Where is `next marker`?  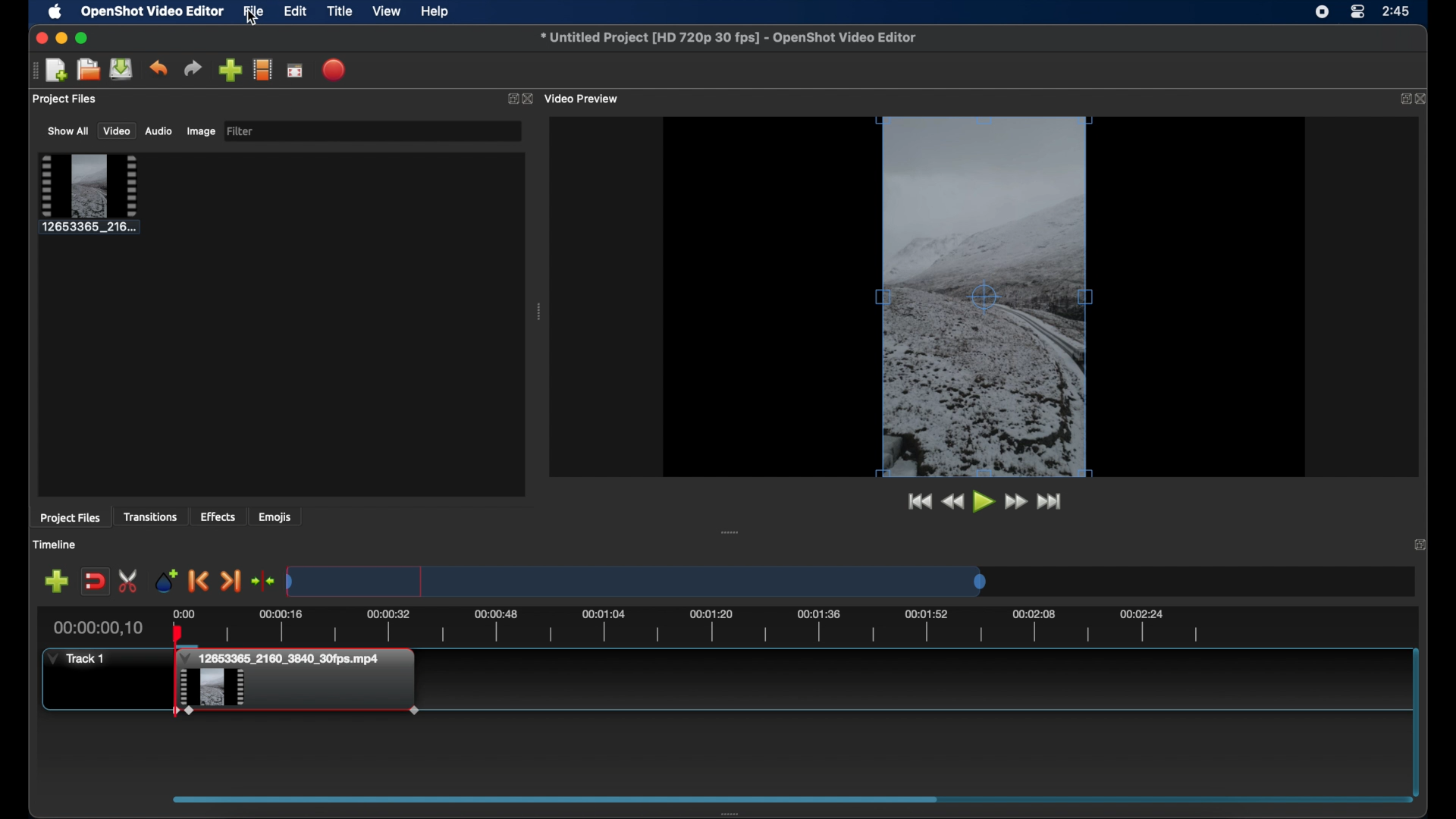
next marker is located at coordinates (232, 582).